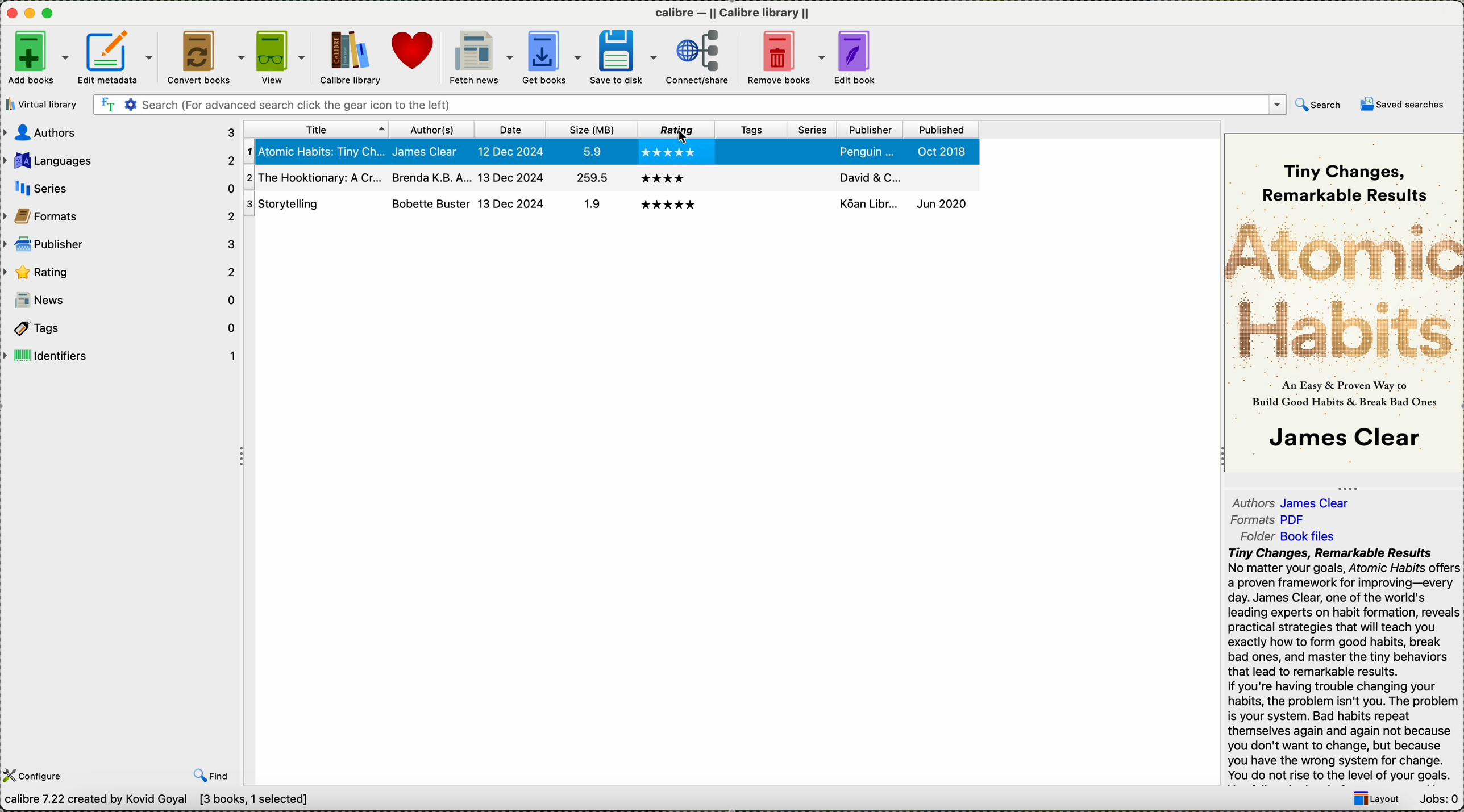 Image resolution: width=1464 pixels, height=812 pixels. What do you see at coordinates (121, 300) in the screenshot?
I see `news` at bounding box center [121, 300].